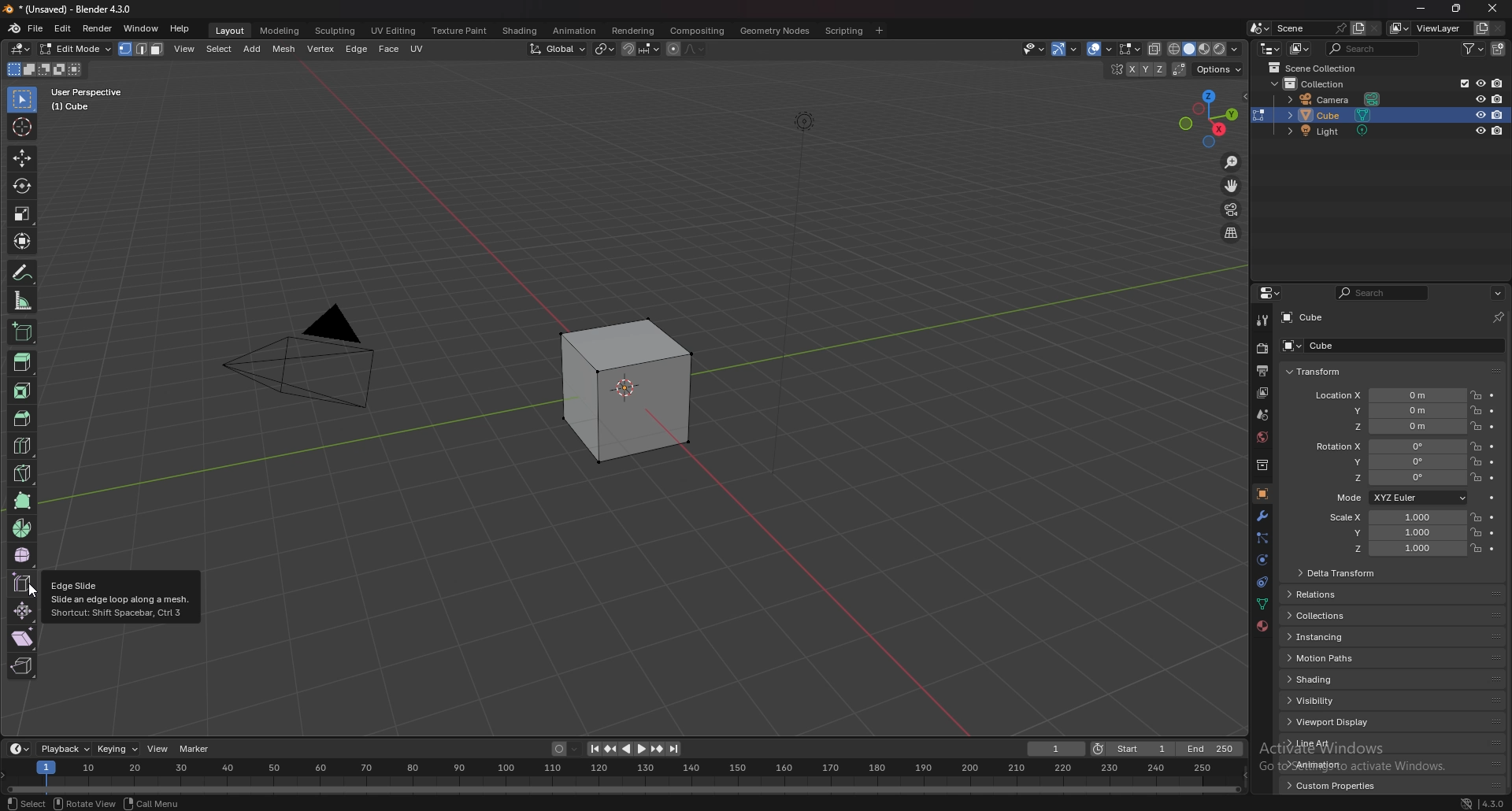 The width and height of the screenshot is (1512, 811). I want to click on animate property, so click(1493, 447).